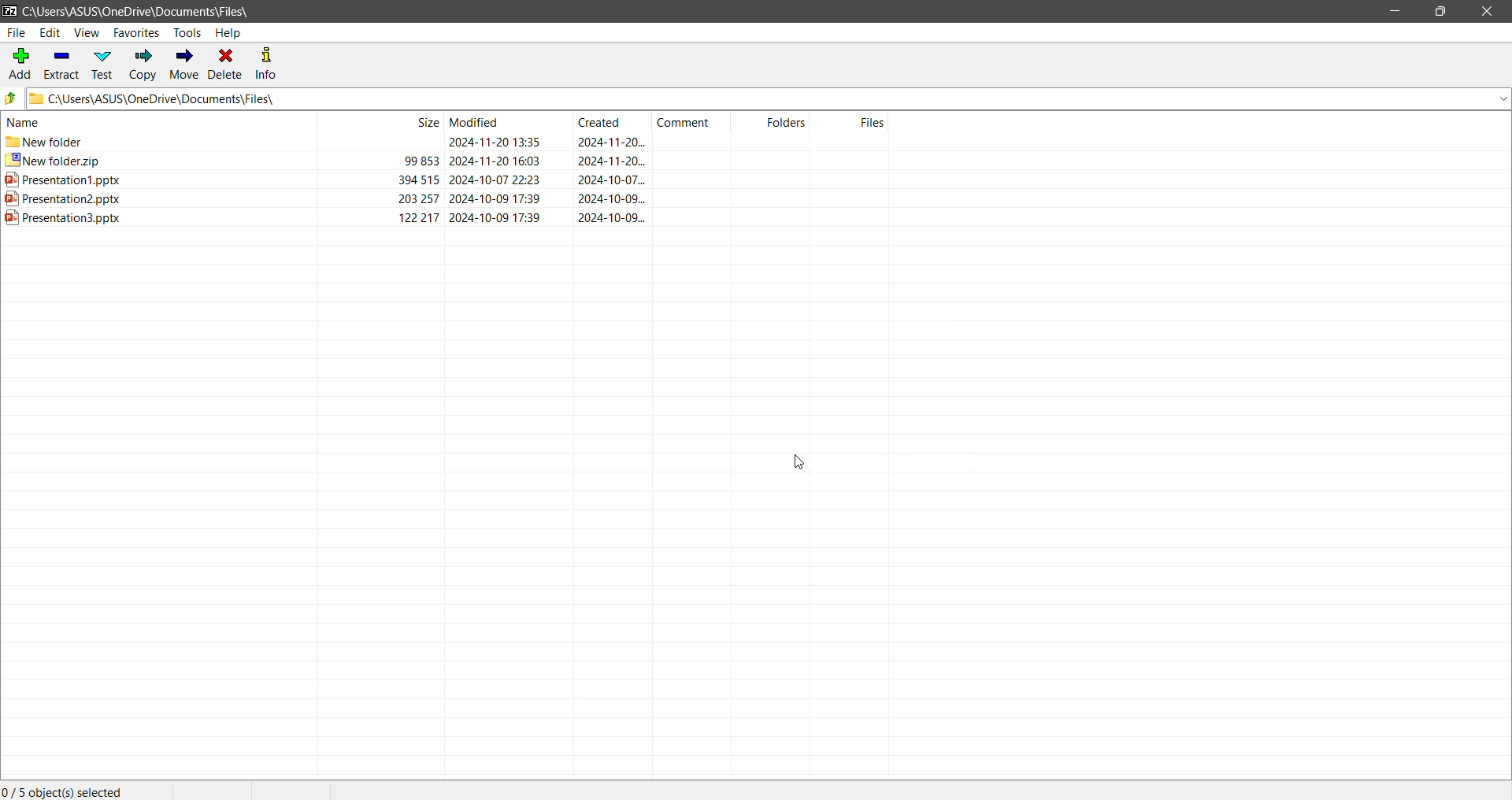 This screenshot has width=1512, height=800. Describe the element at coordinates (773, 122) in the screenshot. I see `Folders` at that location.